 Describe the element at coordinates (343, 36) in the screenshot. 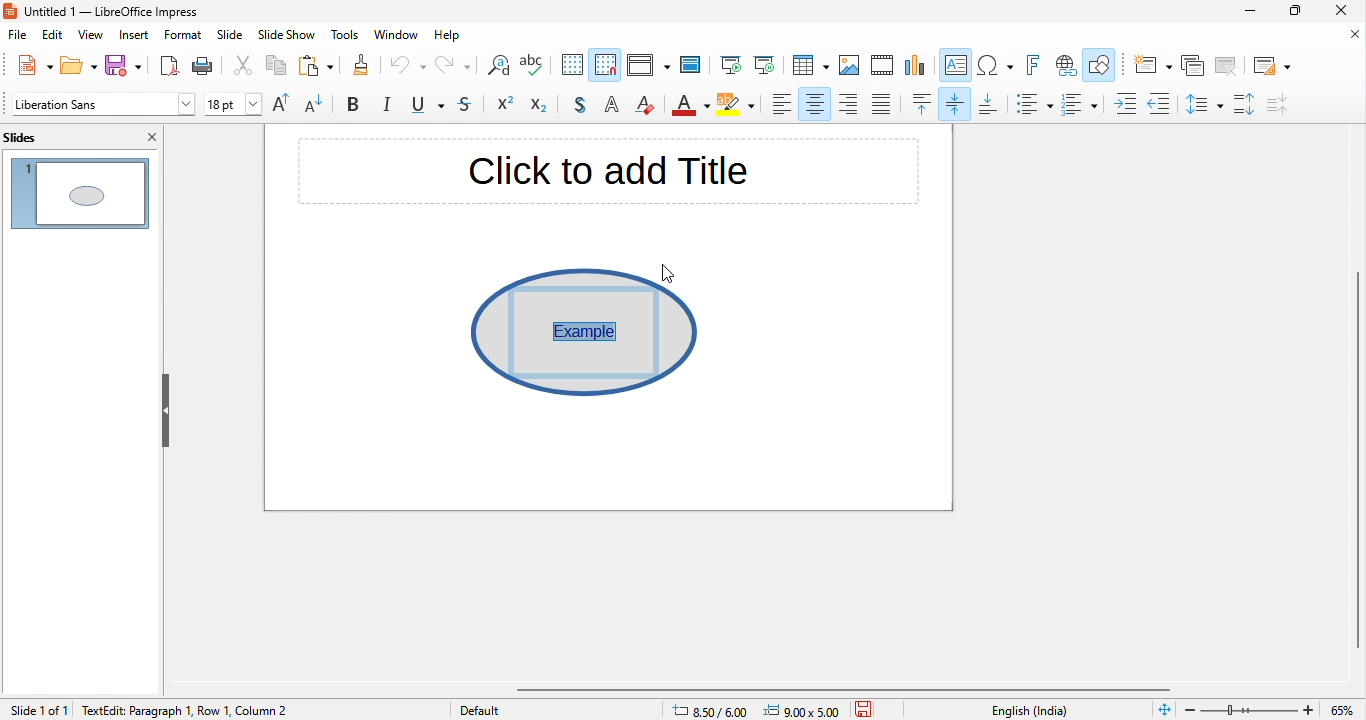

I see `tools` at that location.